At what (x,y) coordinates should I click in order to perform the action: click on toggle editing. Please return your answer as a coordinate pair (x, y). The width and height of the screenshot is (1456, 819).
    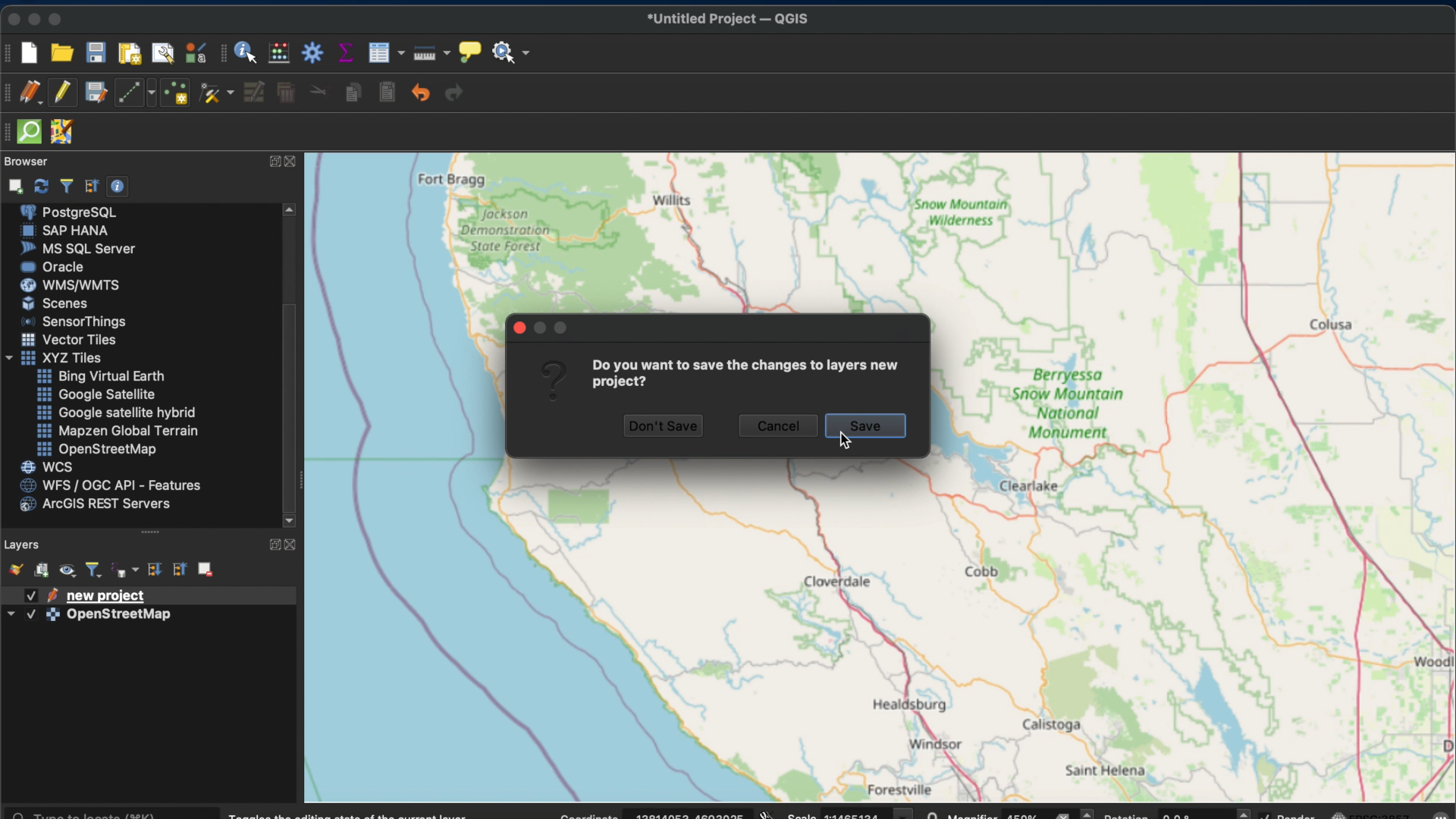
    Looking at the image, I should click on (62, 94).